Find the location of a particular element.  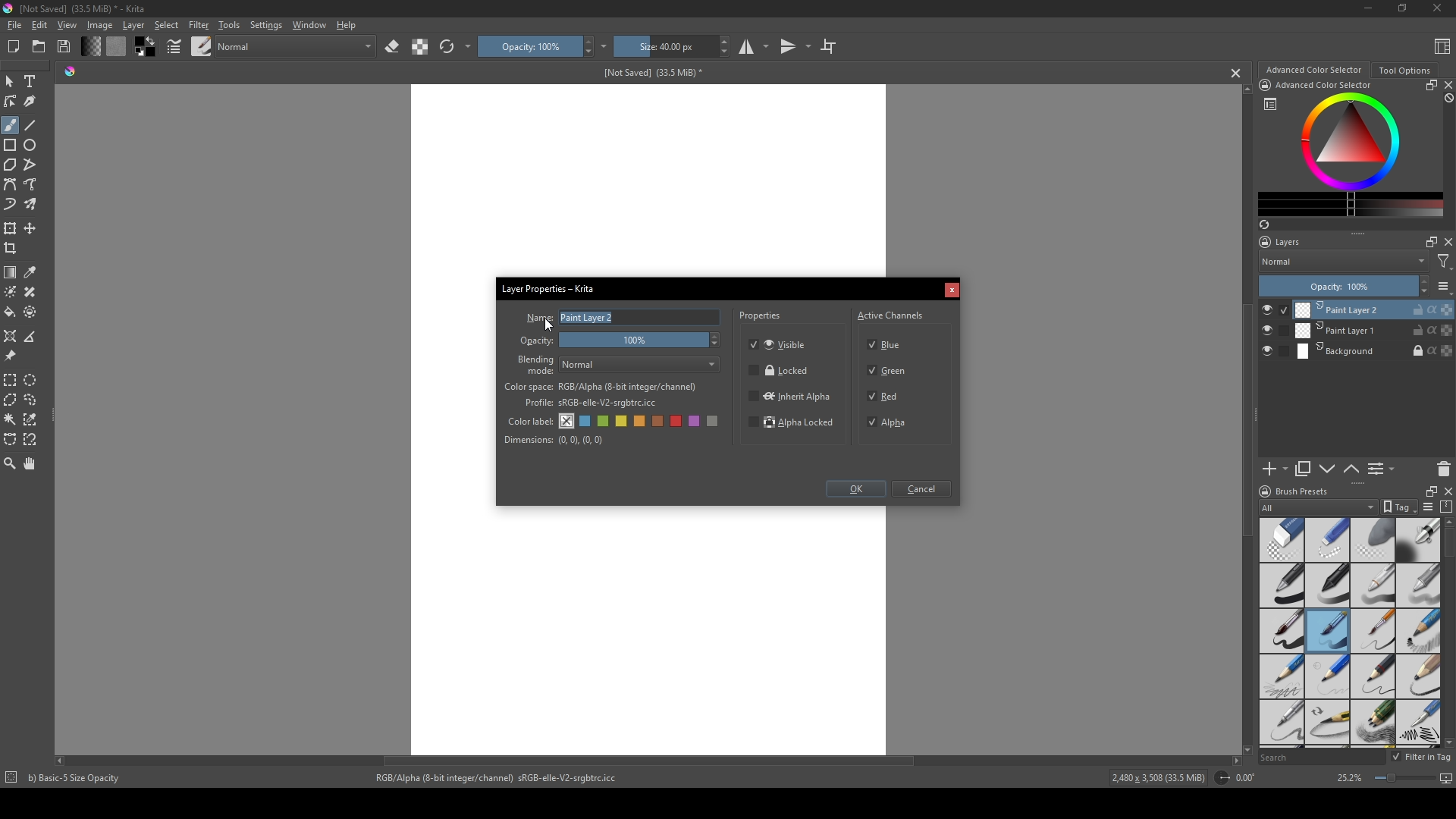

resize is located at coordinates (1401, 9).